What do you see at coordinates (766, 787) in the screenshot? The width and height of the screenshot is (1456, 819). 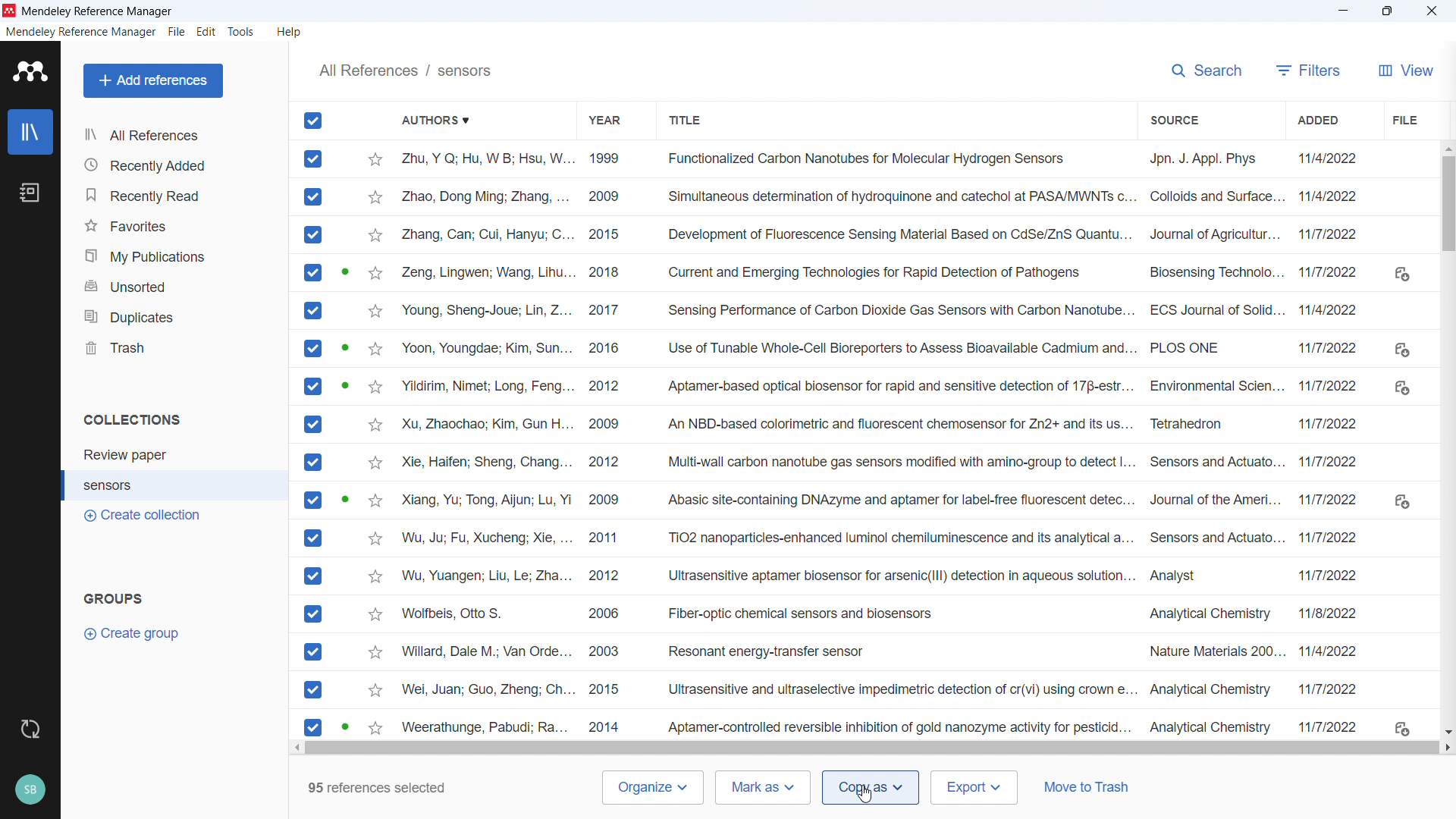 I see `Mark as ` at bounding box center [766, 787].